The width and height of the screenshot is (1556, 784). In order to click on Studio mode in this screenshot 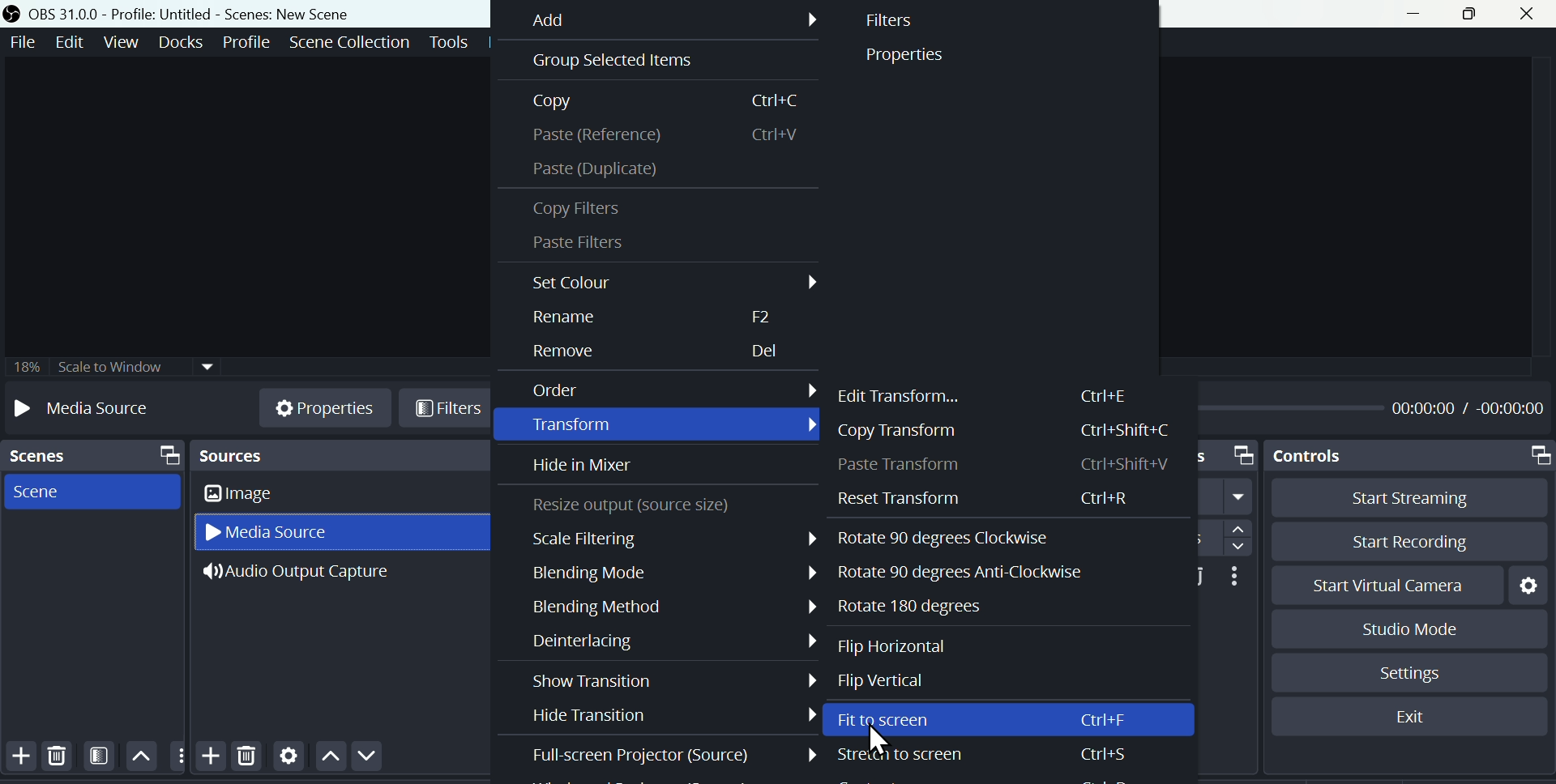, I will do `click(1396, 628)`.